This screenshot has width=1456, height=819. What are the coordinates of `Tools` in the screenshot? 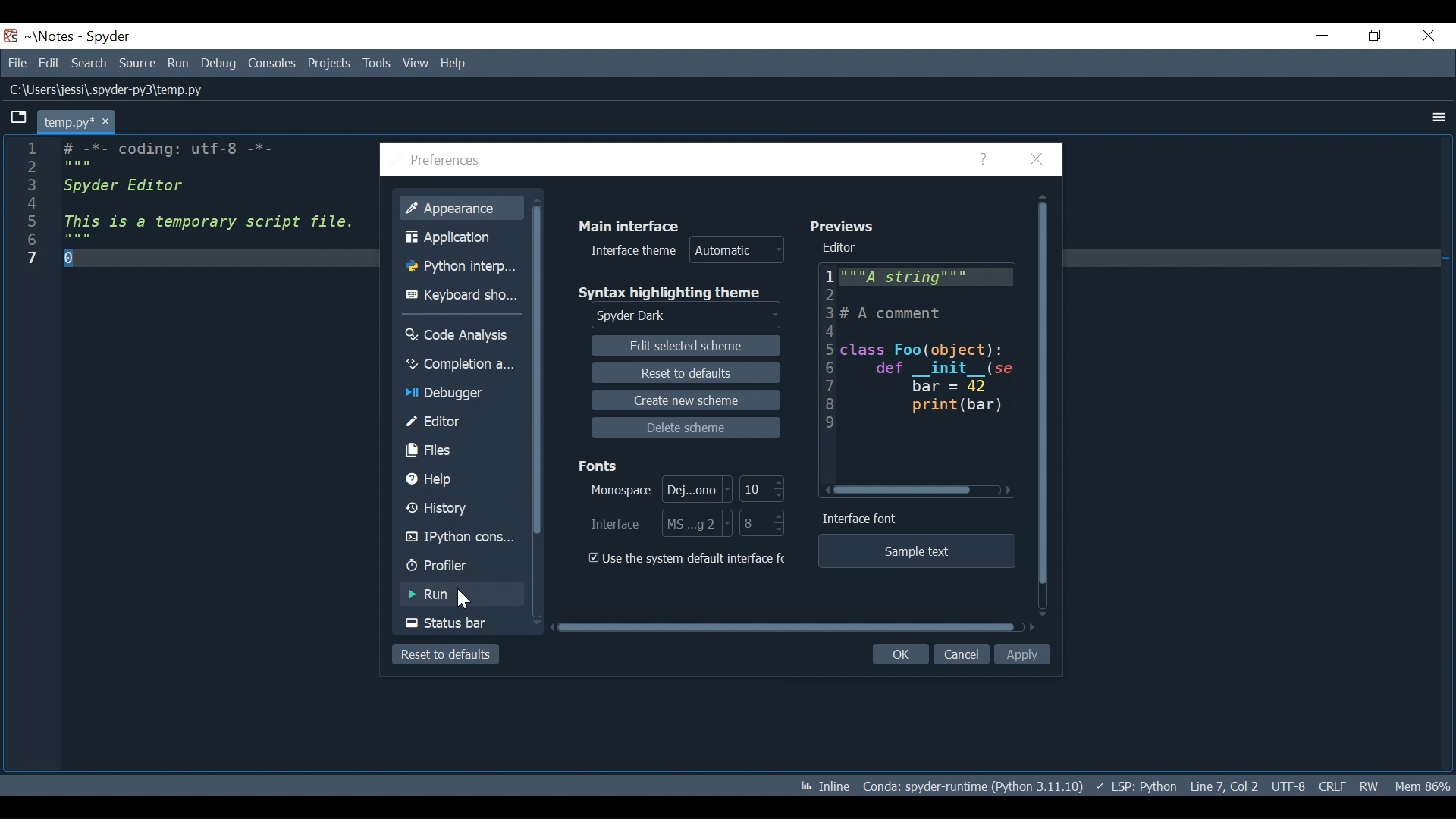 It's located at (378, 64).